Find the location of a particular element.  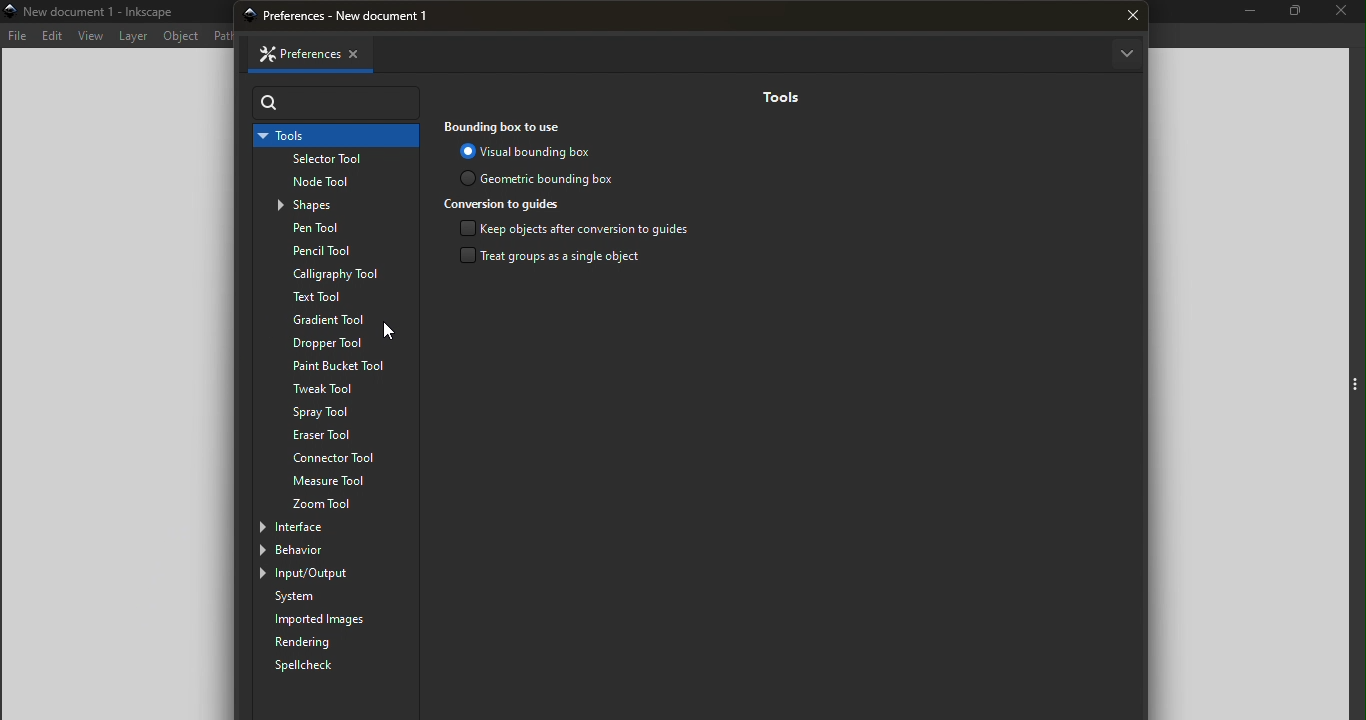

Behavior is located at coordinates (321, 550).